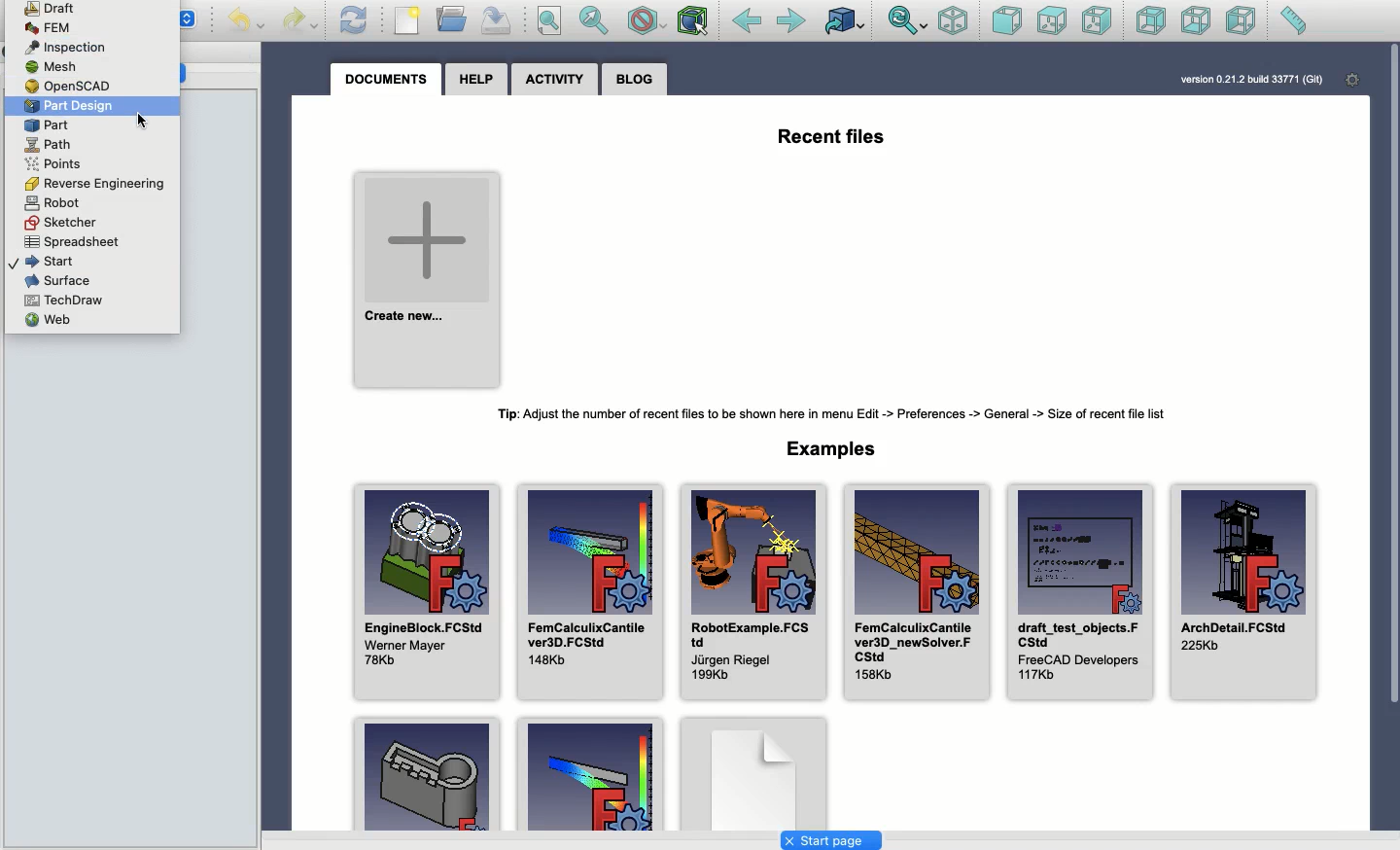 Image resolution: width=1400 pixels, height=850 pixels. What do you see at coordinates (68, 301) in the screenshot?
I see `TechDraw` at bounding box center [68, 301].